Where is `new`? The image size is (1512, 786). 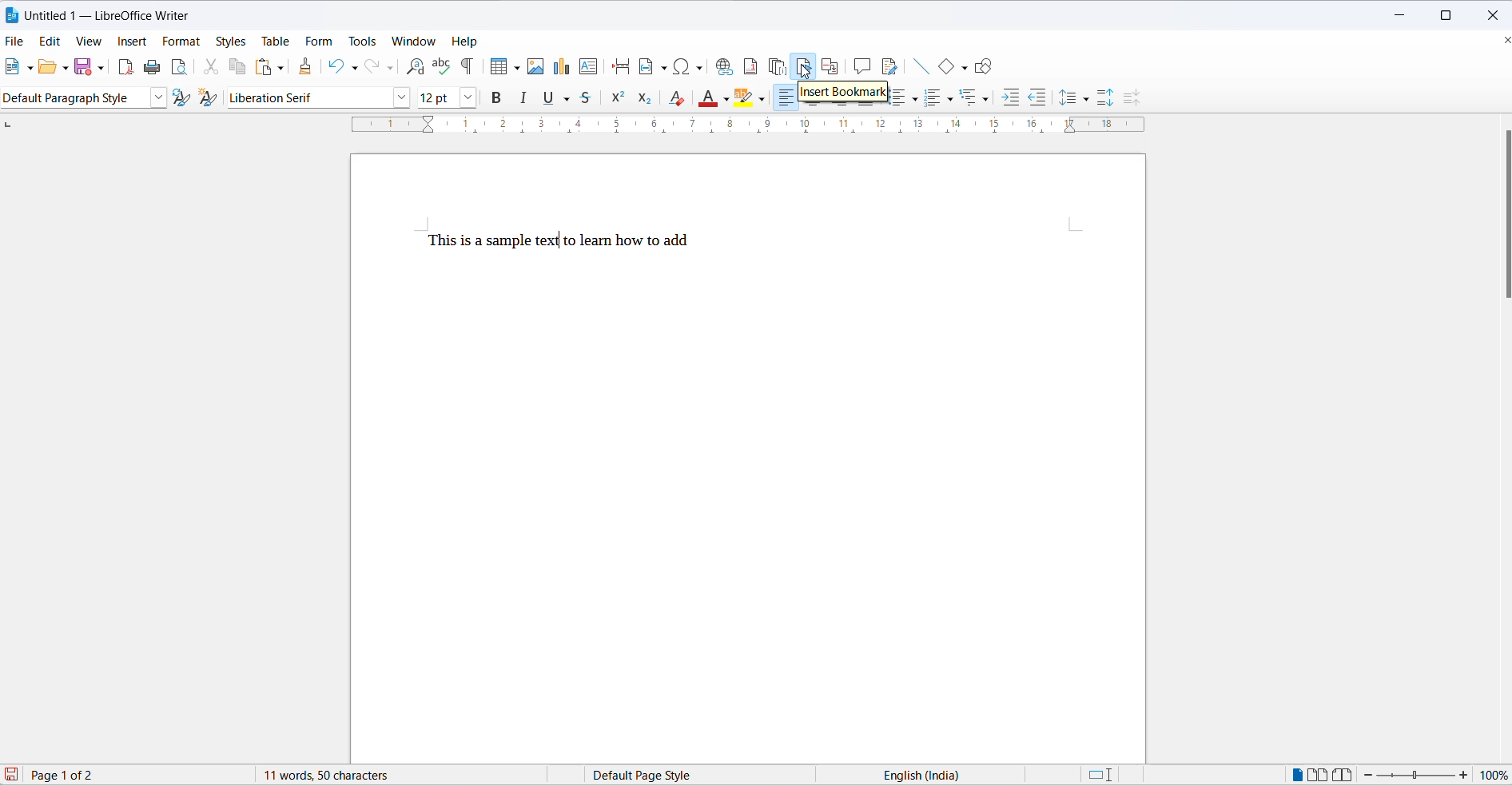
new is located at coordinates (14, 67).